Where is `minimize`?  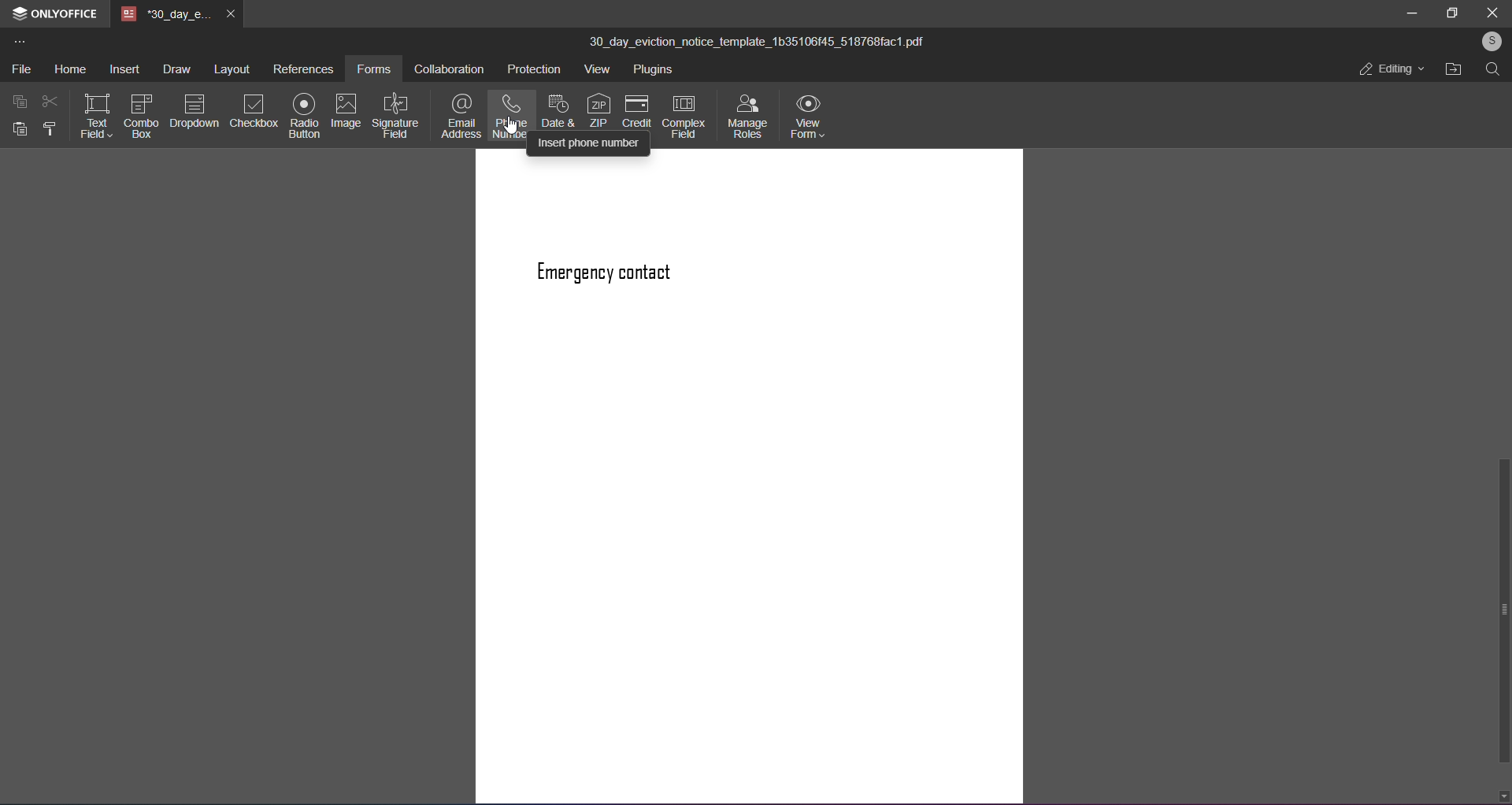 minimize is located at coordinates (1412, 13).